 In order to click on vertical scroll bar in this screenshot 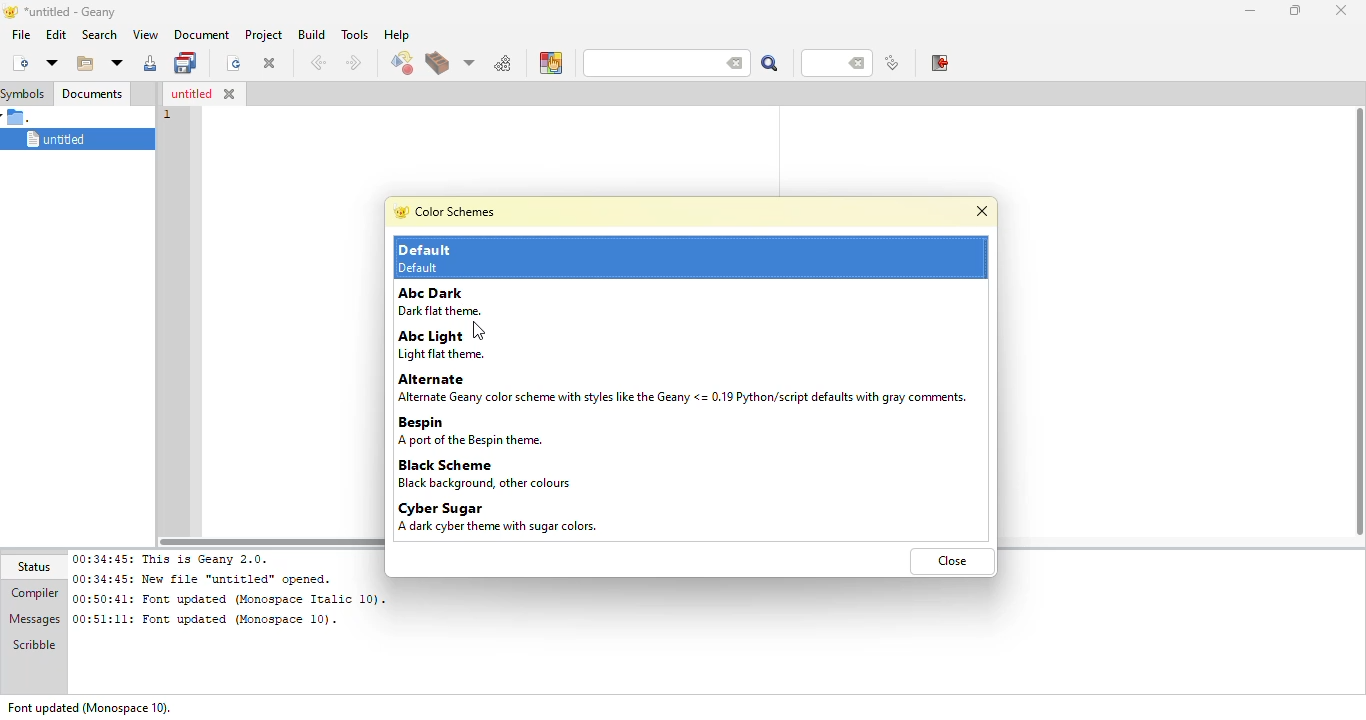, I will do `click(1357, 324)`.